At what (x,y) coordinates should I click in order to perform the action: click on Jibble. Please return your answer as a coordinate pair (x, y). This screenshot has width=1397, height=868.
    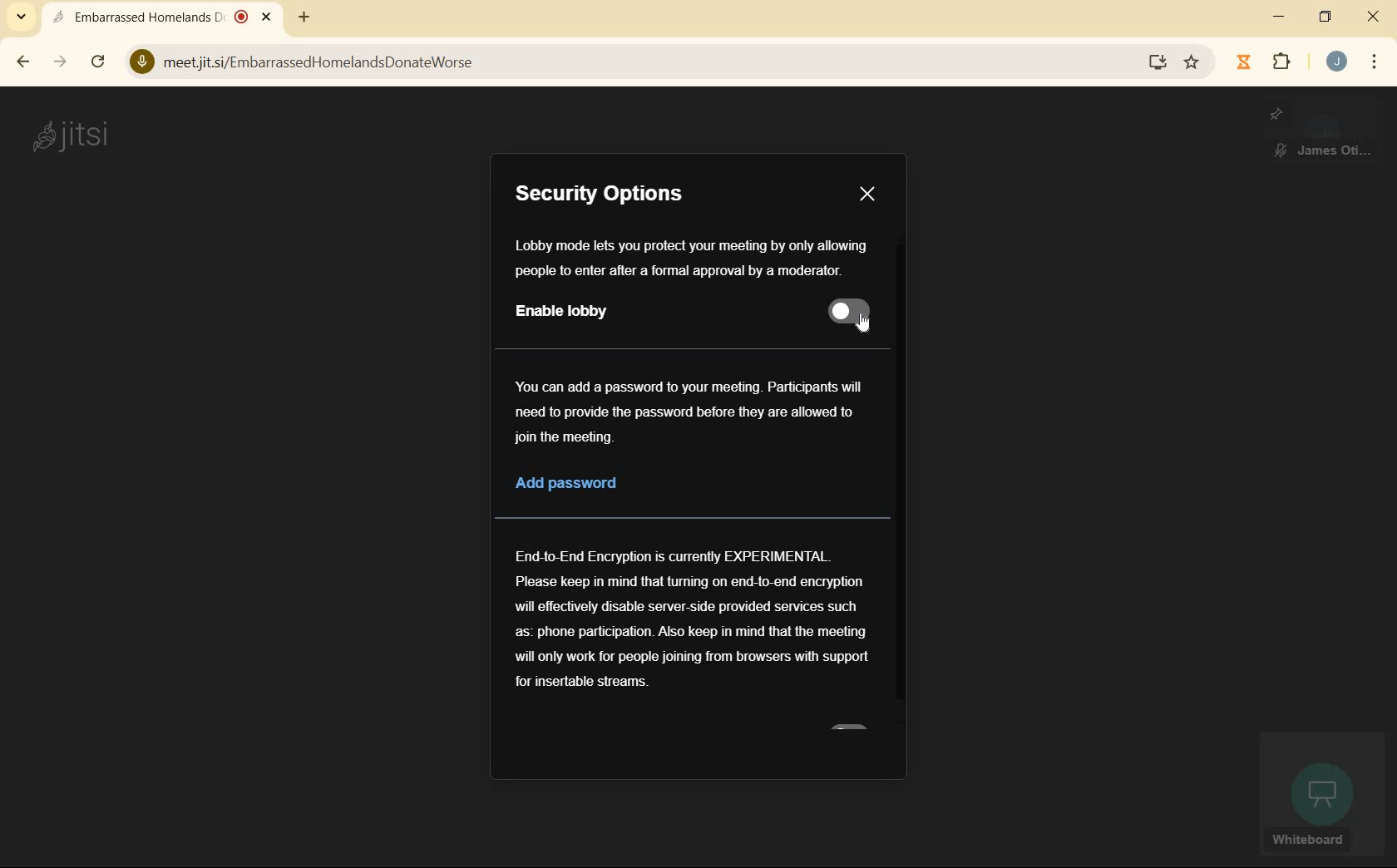
    Looking at the image, I should click on (1243, 62).